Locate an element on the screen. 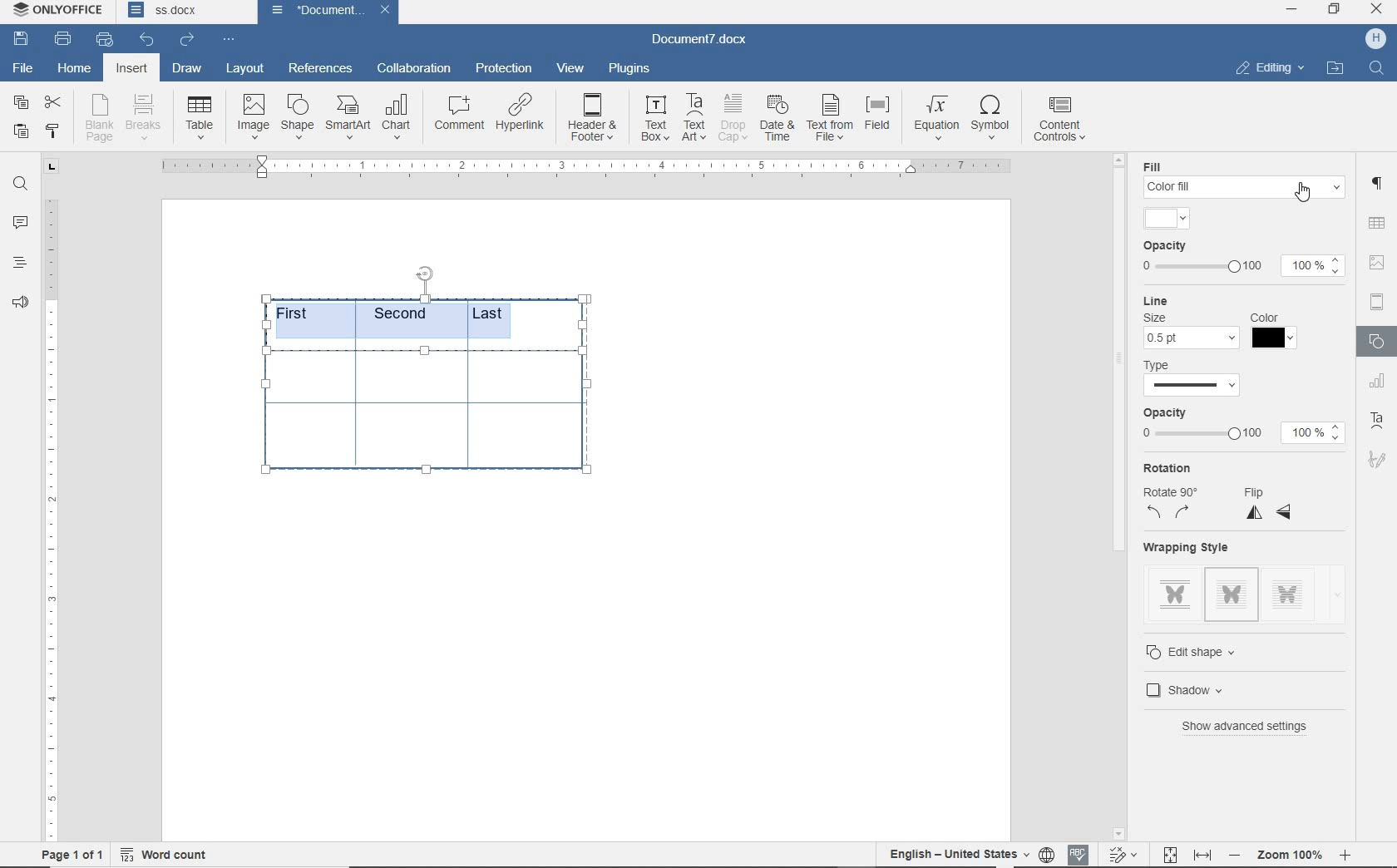  protection is located at coordinates (503, 69).